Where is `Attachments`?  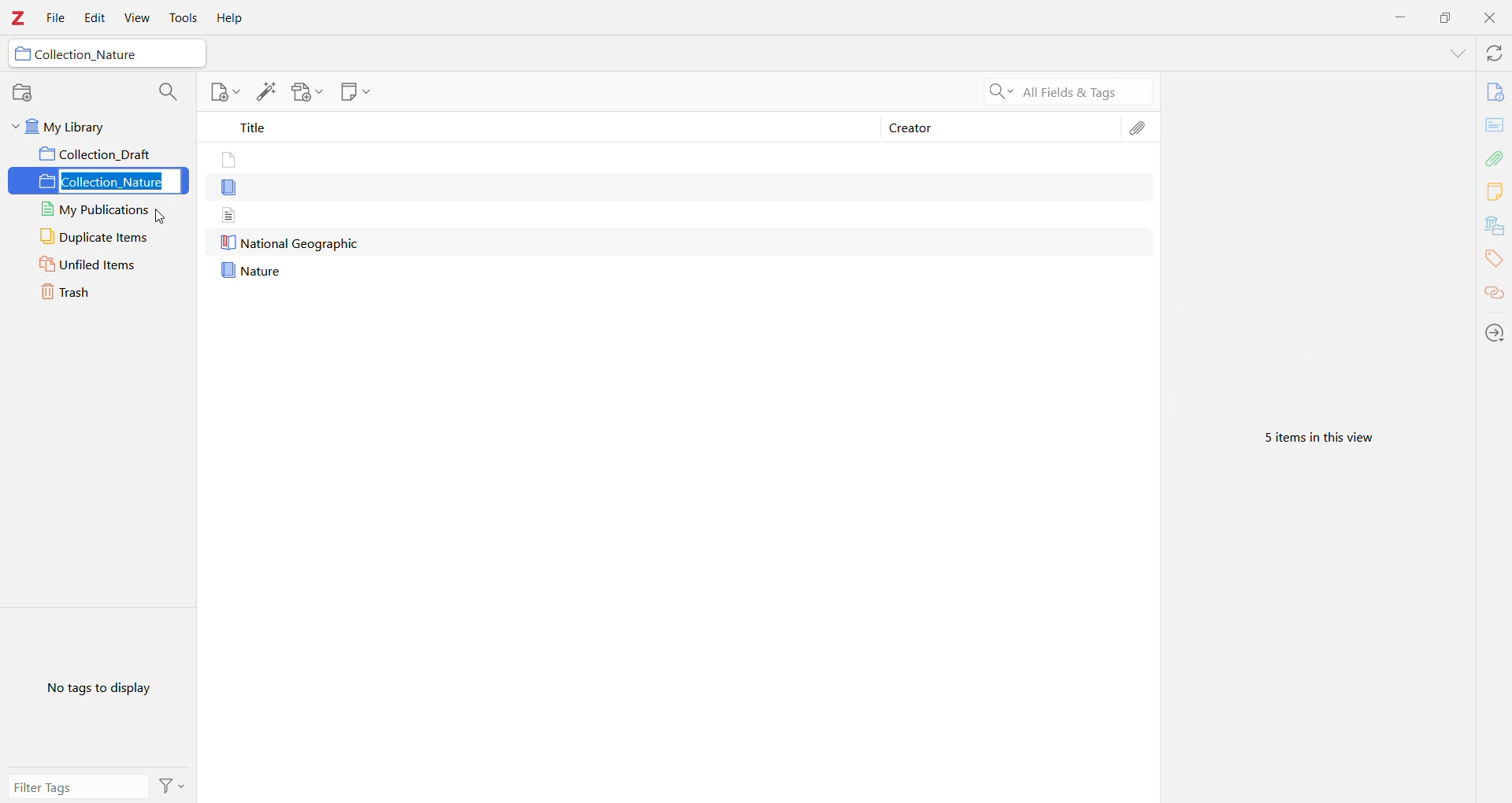 Attachments is located at coordinates (1496, 157).